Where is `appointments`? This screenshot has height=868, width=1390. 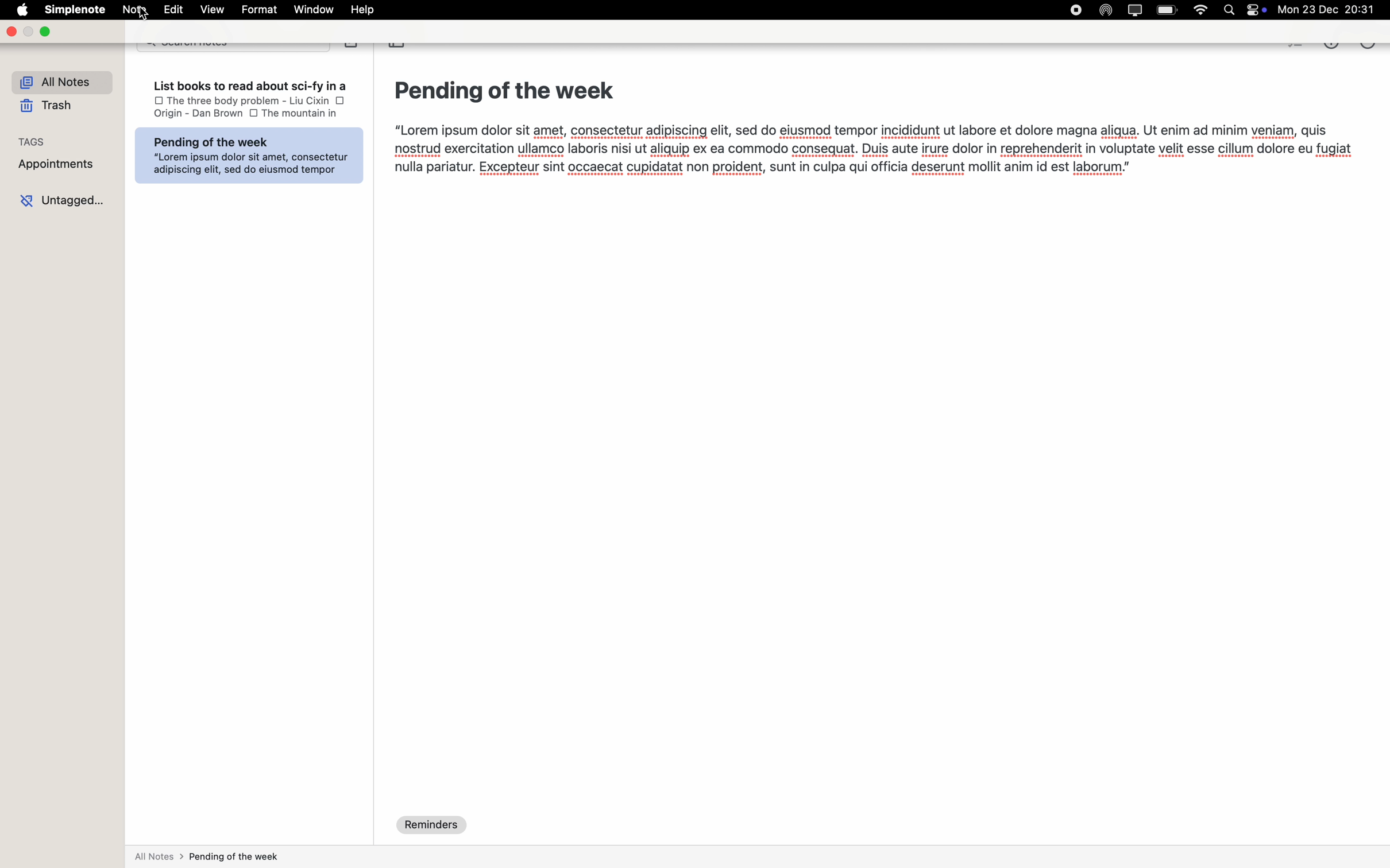 appointments is located at coordinates (57, 169).